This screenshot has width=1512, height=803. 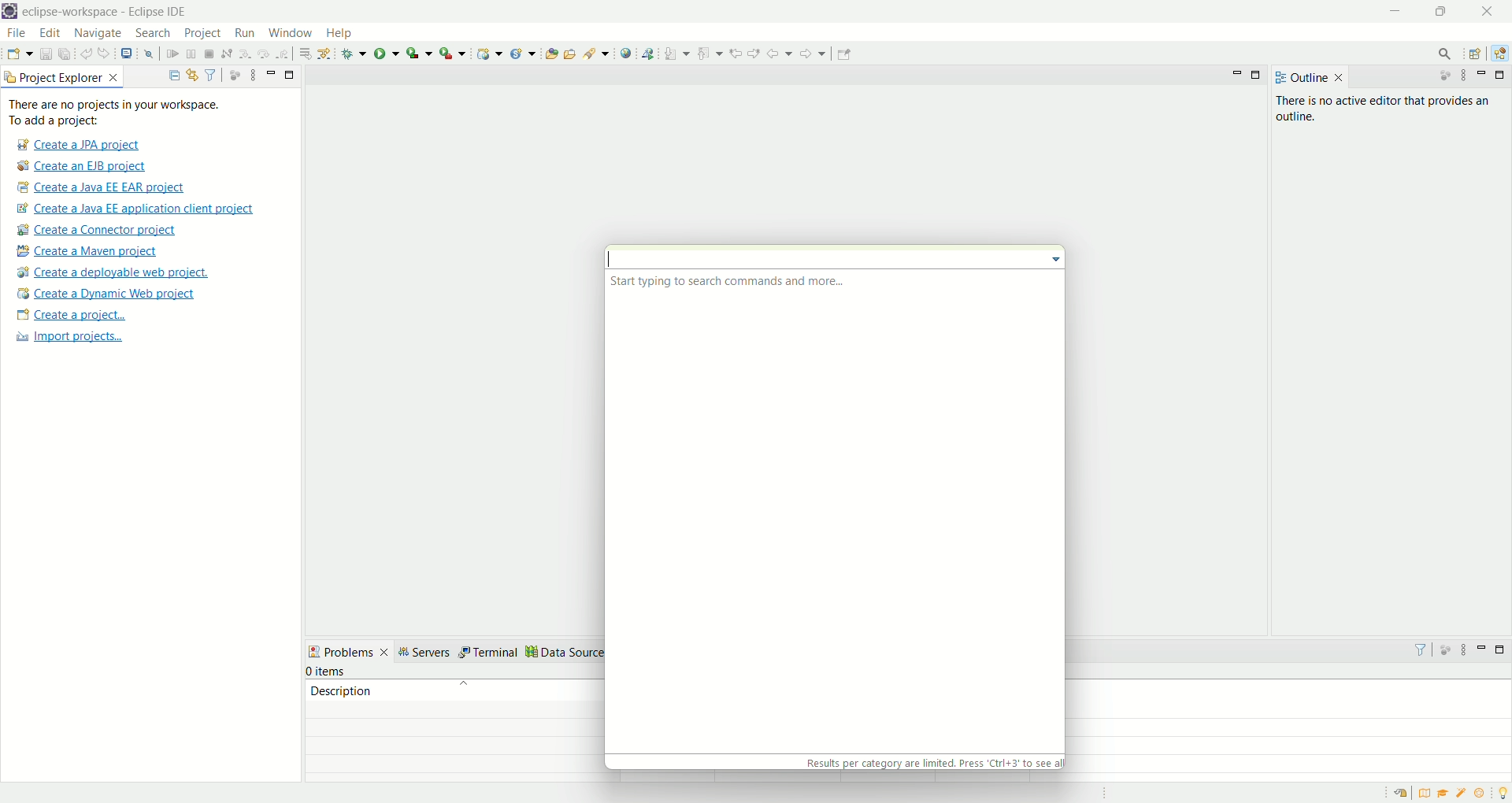 I want to click on run last tool, so click(x=451, y=54).